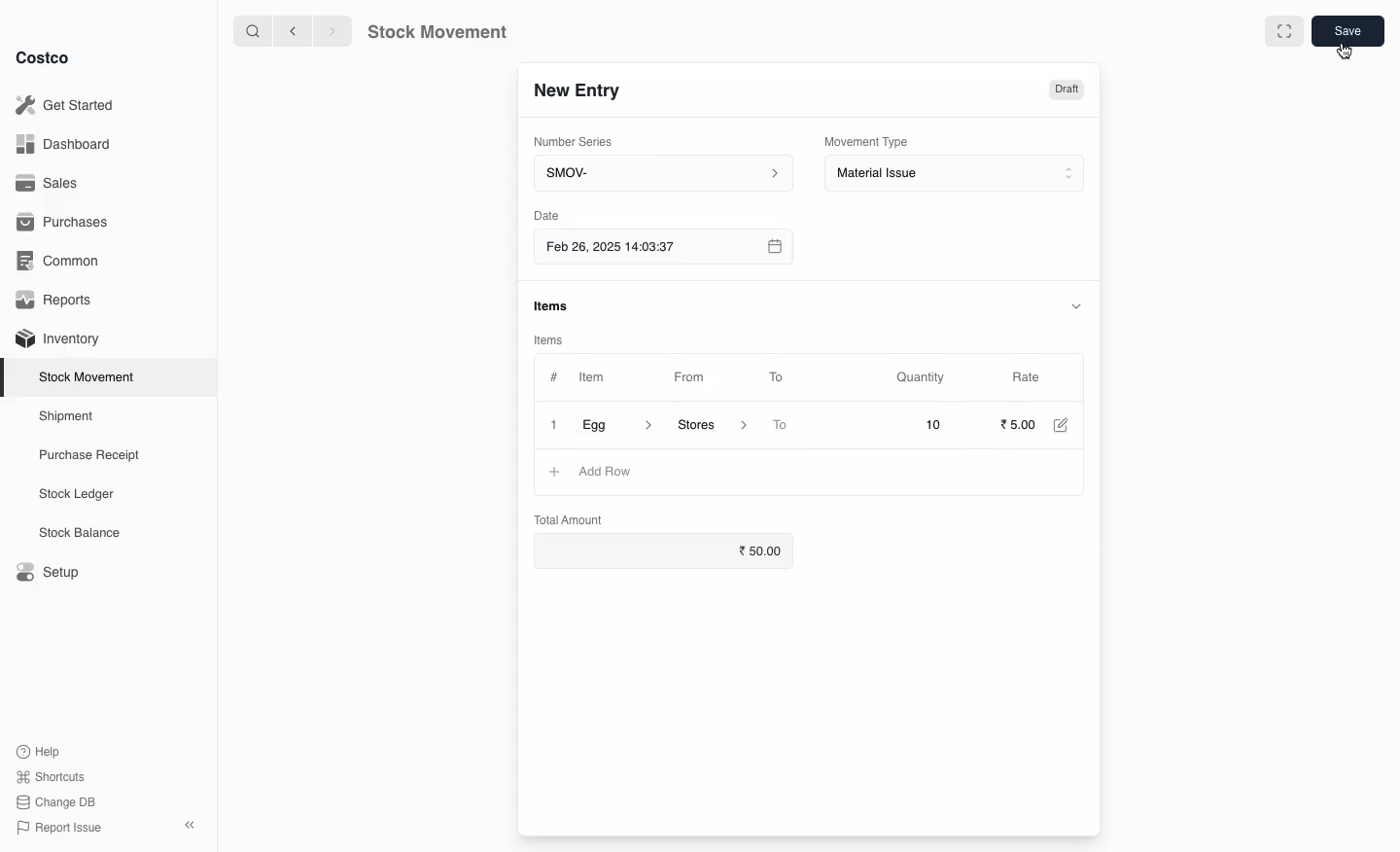 The image size is (1400, 852). Describe the element at coordinates (67, 417) in the screenshot. I see `Shipment` at that location.